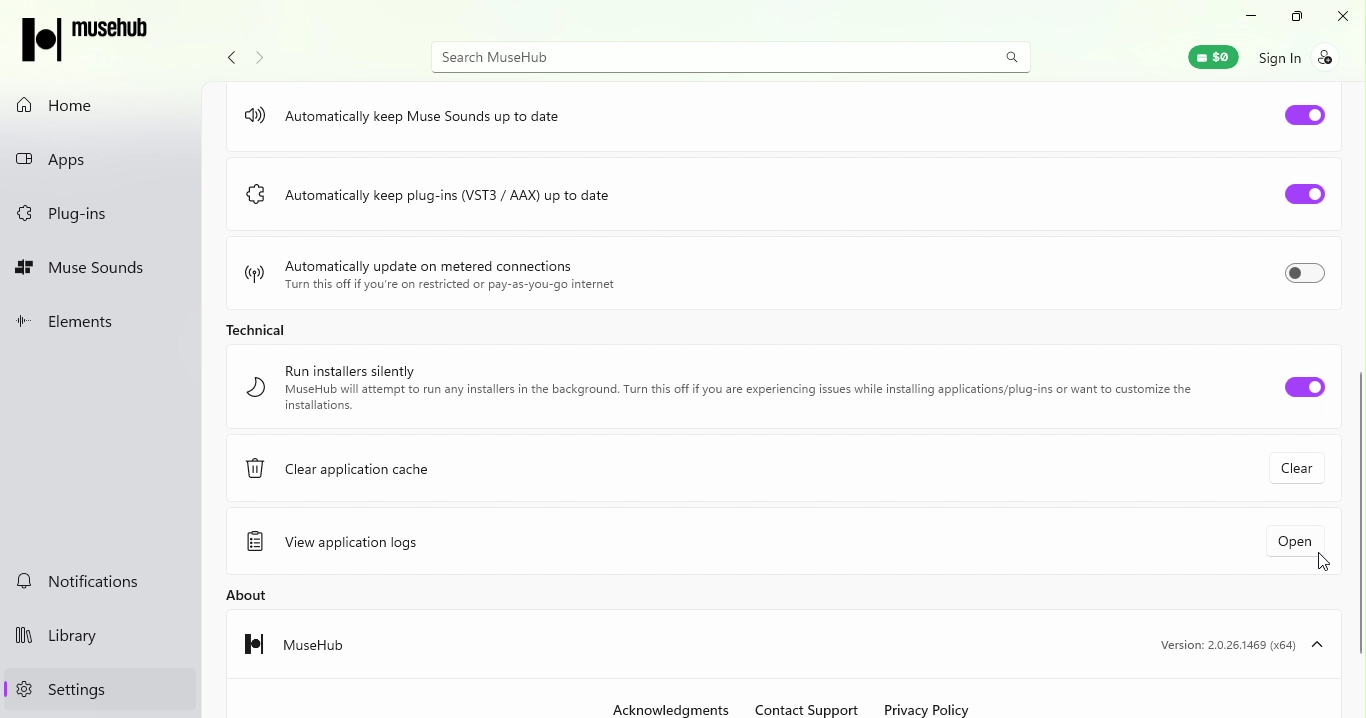 The width and height of the screenshot is (1366, 718). What do you see at coordinates (1355, 400) in the screenshot?
I see `Vertical scroll bar` at bounding box center [1355, 400].